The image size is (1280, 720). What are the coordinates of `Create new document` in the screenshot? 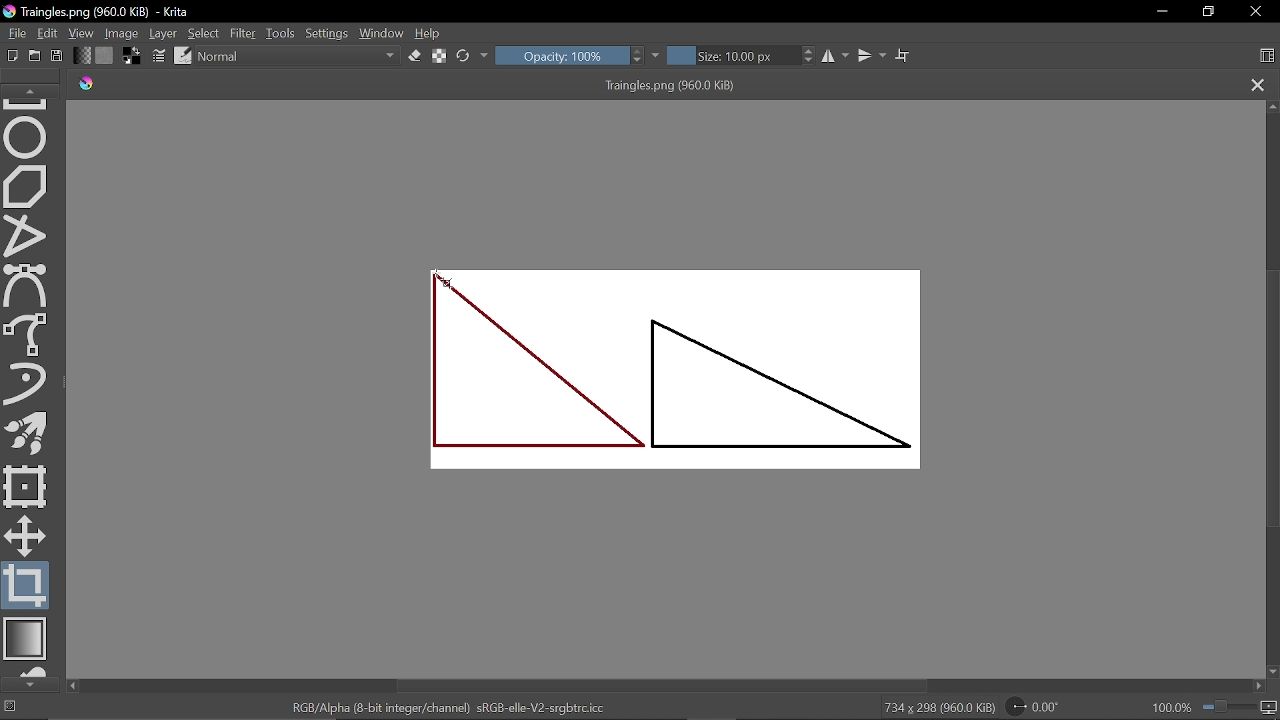 It's located at (13, 56).